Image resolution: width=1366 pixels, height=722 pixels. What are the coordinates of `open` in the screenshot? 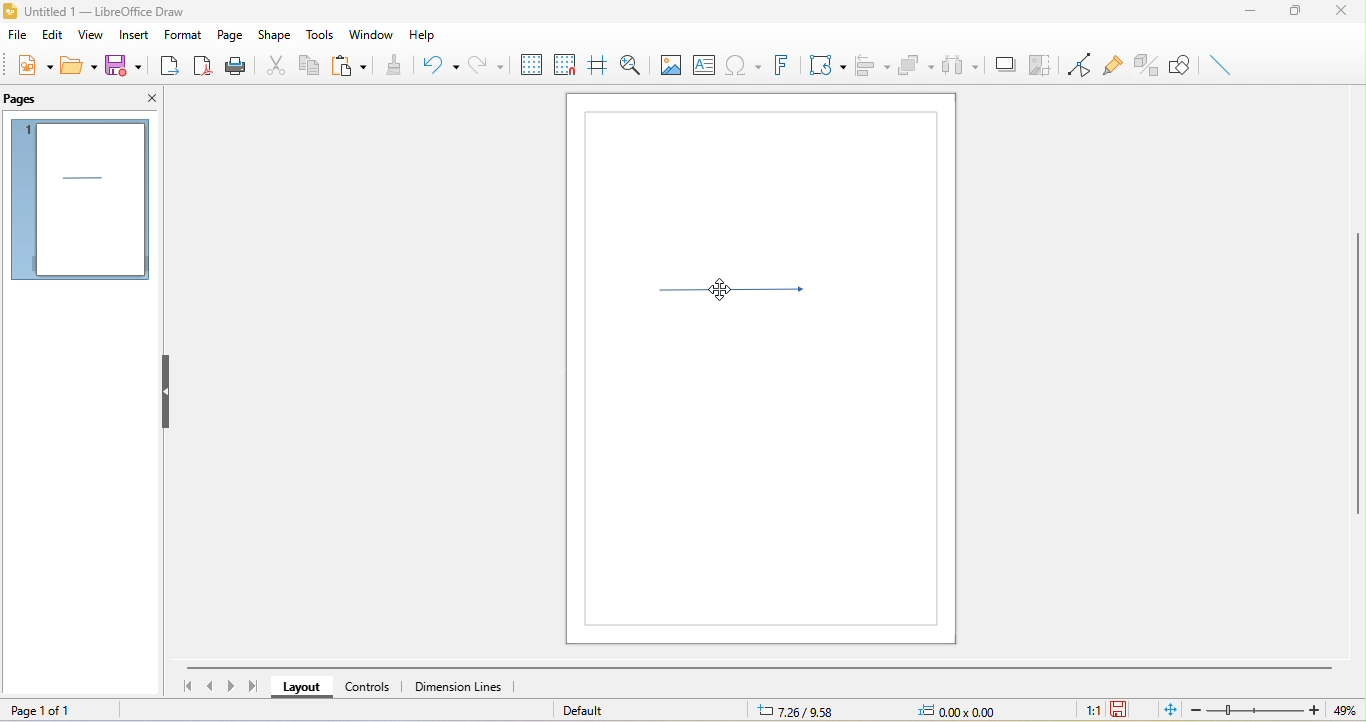 It's located at (81, 66).